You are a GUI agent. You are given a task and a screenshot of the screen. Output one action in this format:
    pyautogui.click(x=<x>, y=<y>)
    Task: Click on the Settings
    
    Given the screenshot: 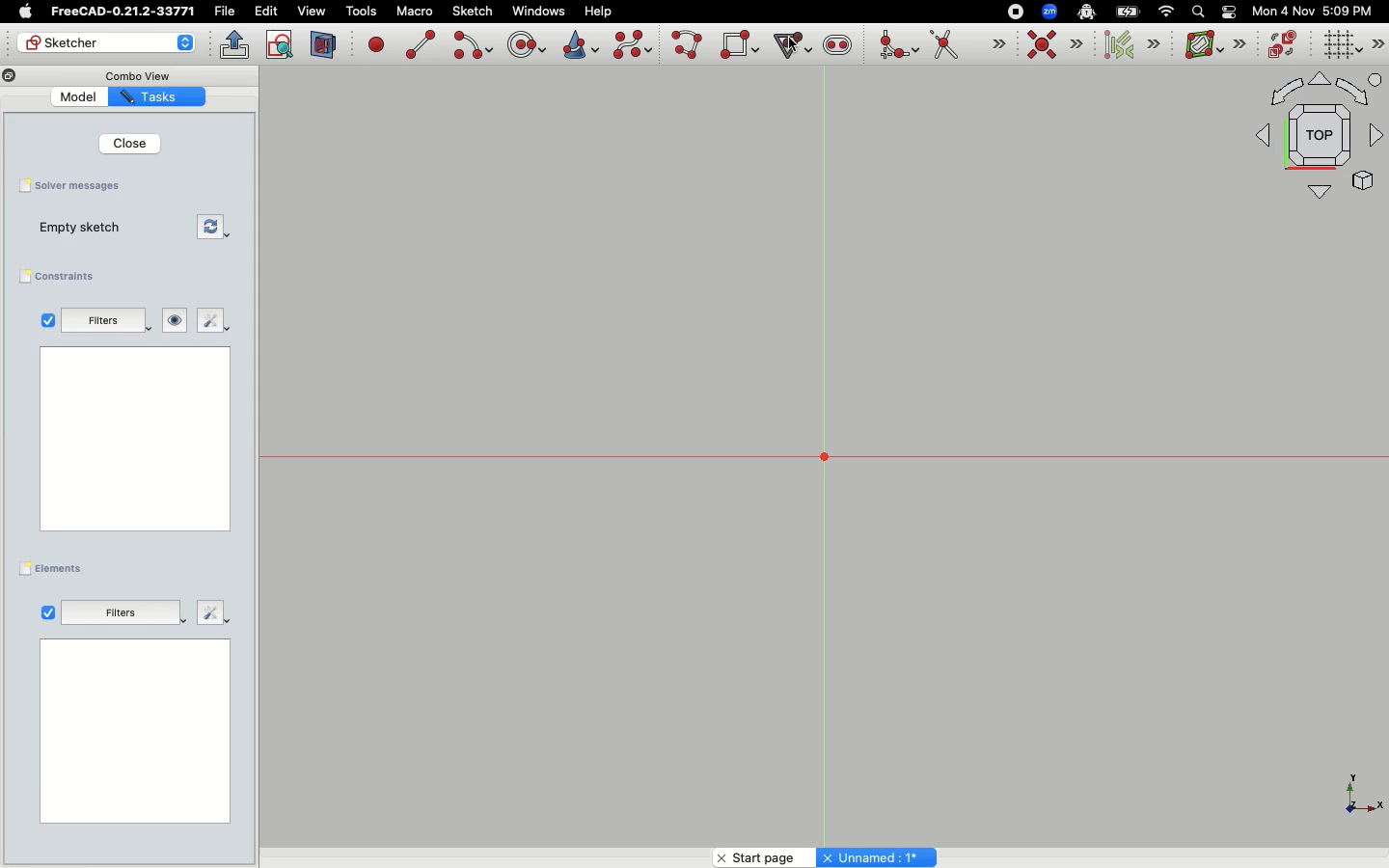 What is the action you would take?
    pyautogui.click(x=207, y=614)
    